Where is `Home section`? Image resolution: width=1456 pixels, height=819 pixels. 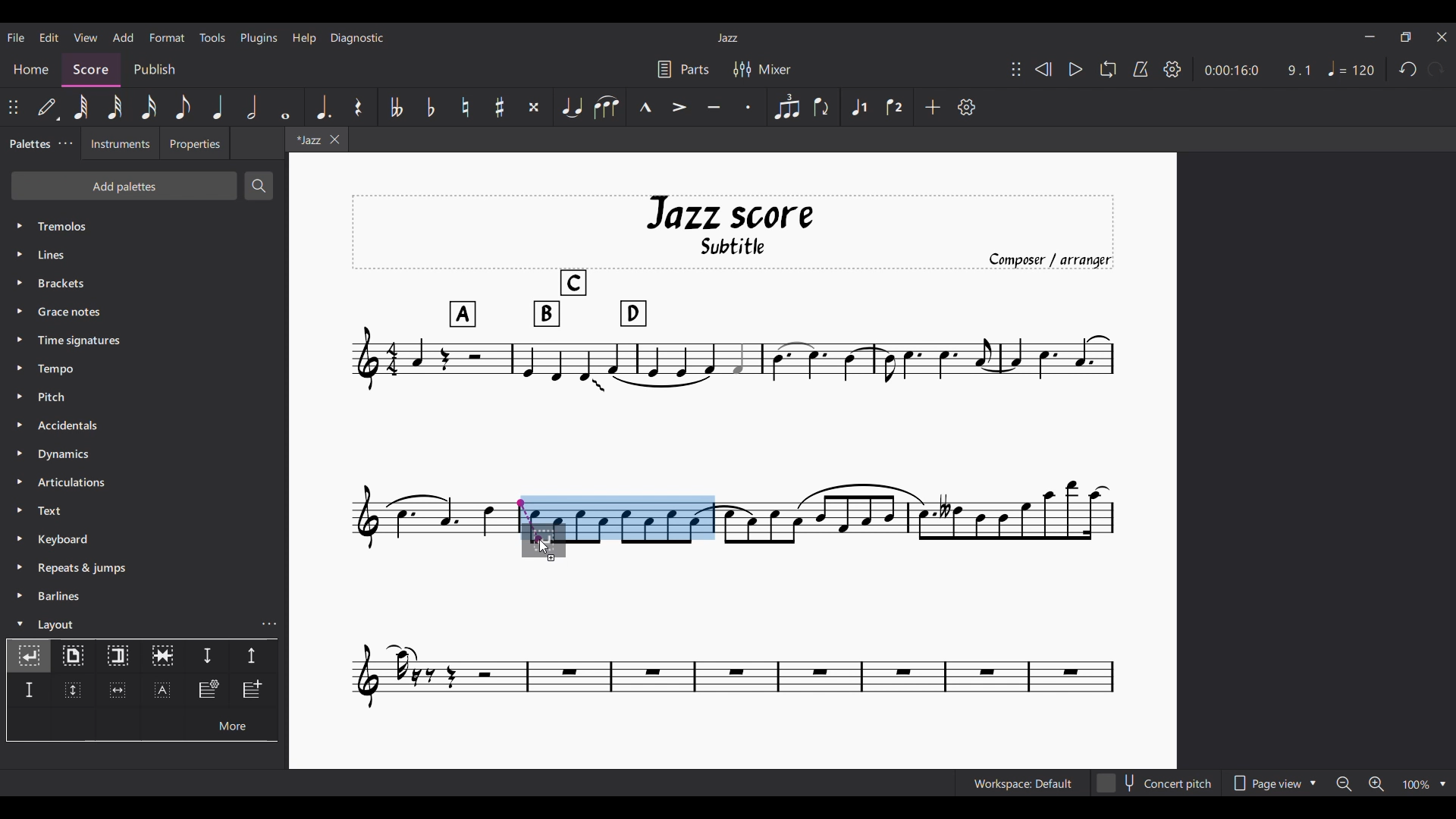
Home section is located at coordinates (31, 69).